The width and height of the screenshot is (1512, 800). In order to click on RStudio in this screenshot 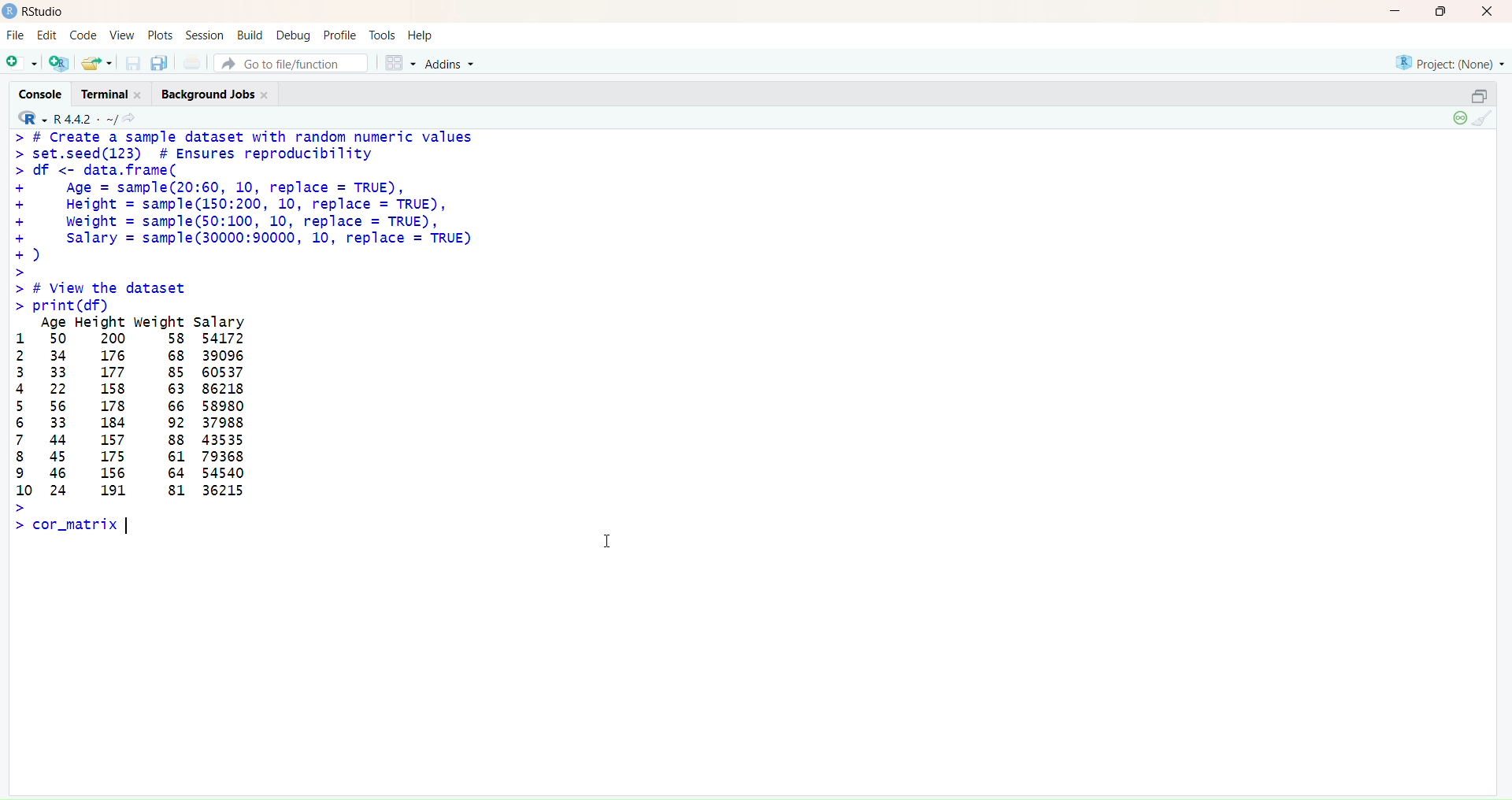, I will do `click(36, 12)`.